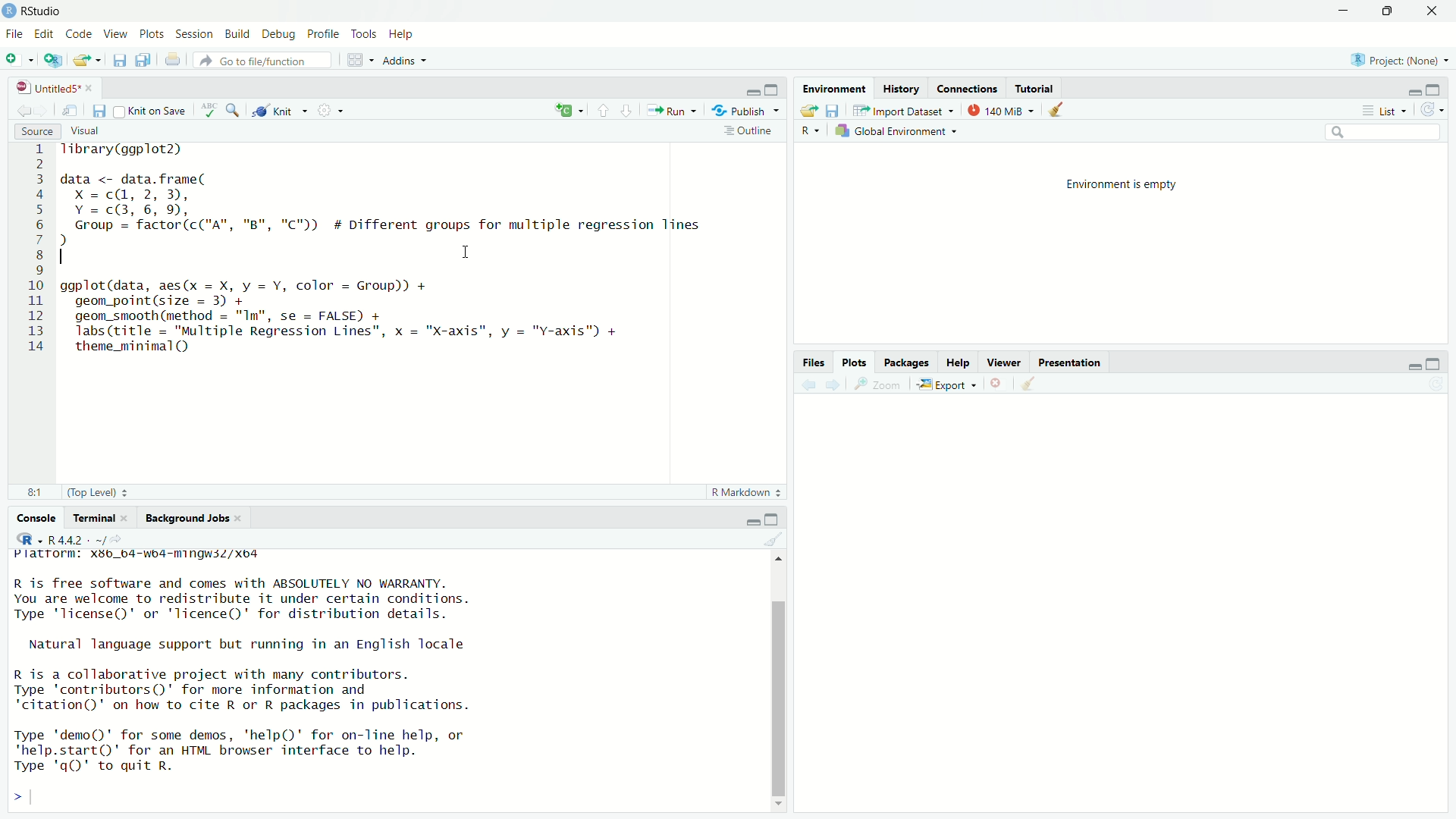 This screenshot has height=819, width=1456. What do you see at coordinates (408, 59) in the screenshot?
I see `Addins` at bounding box center [408, 59].